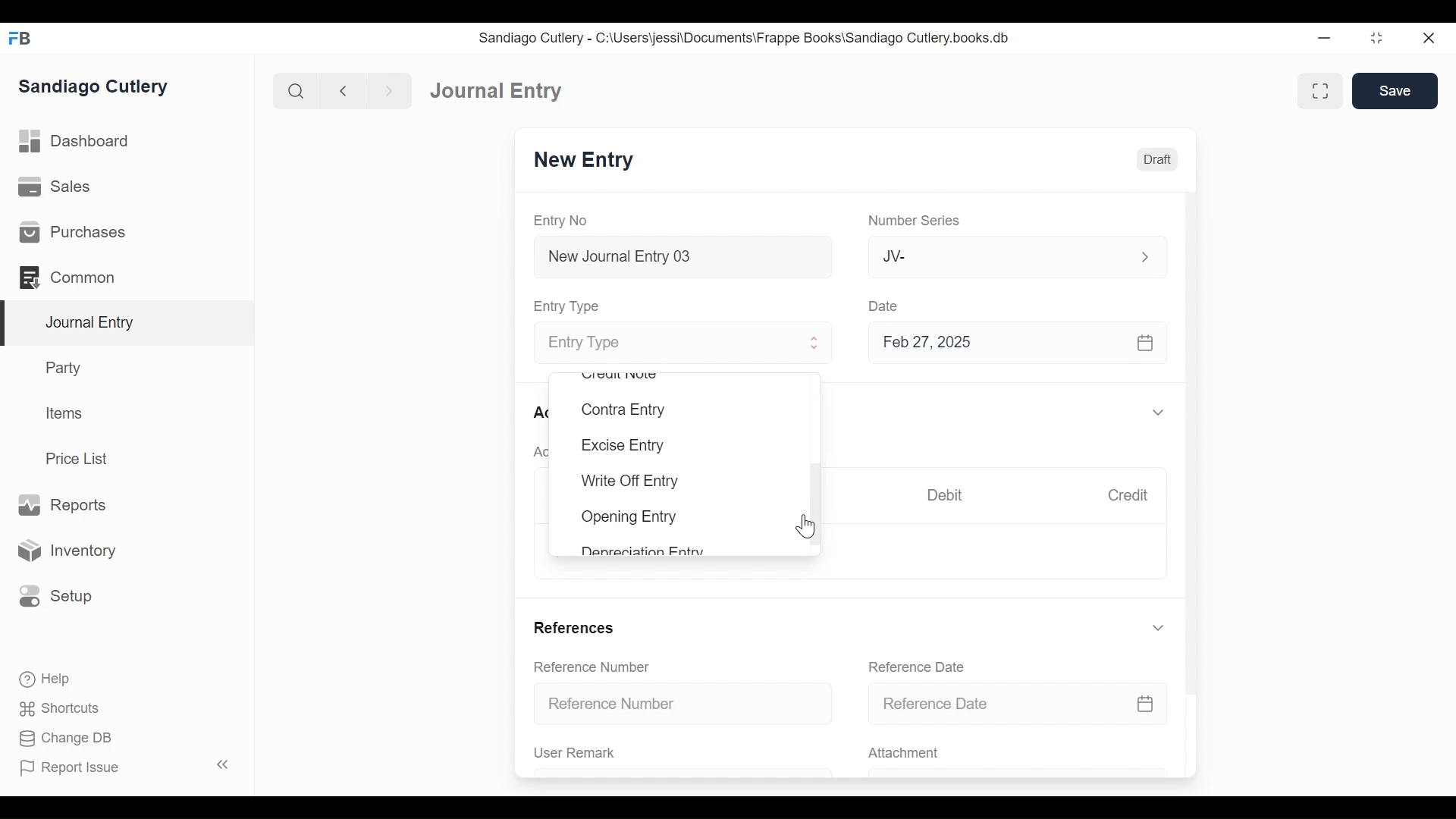 This screenshot has width=1456, height=819. What do you see at coordinates (679, 257) in the screenshot?
I see `New Journal Entry 03` at bounding box center [679, 257].